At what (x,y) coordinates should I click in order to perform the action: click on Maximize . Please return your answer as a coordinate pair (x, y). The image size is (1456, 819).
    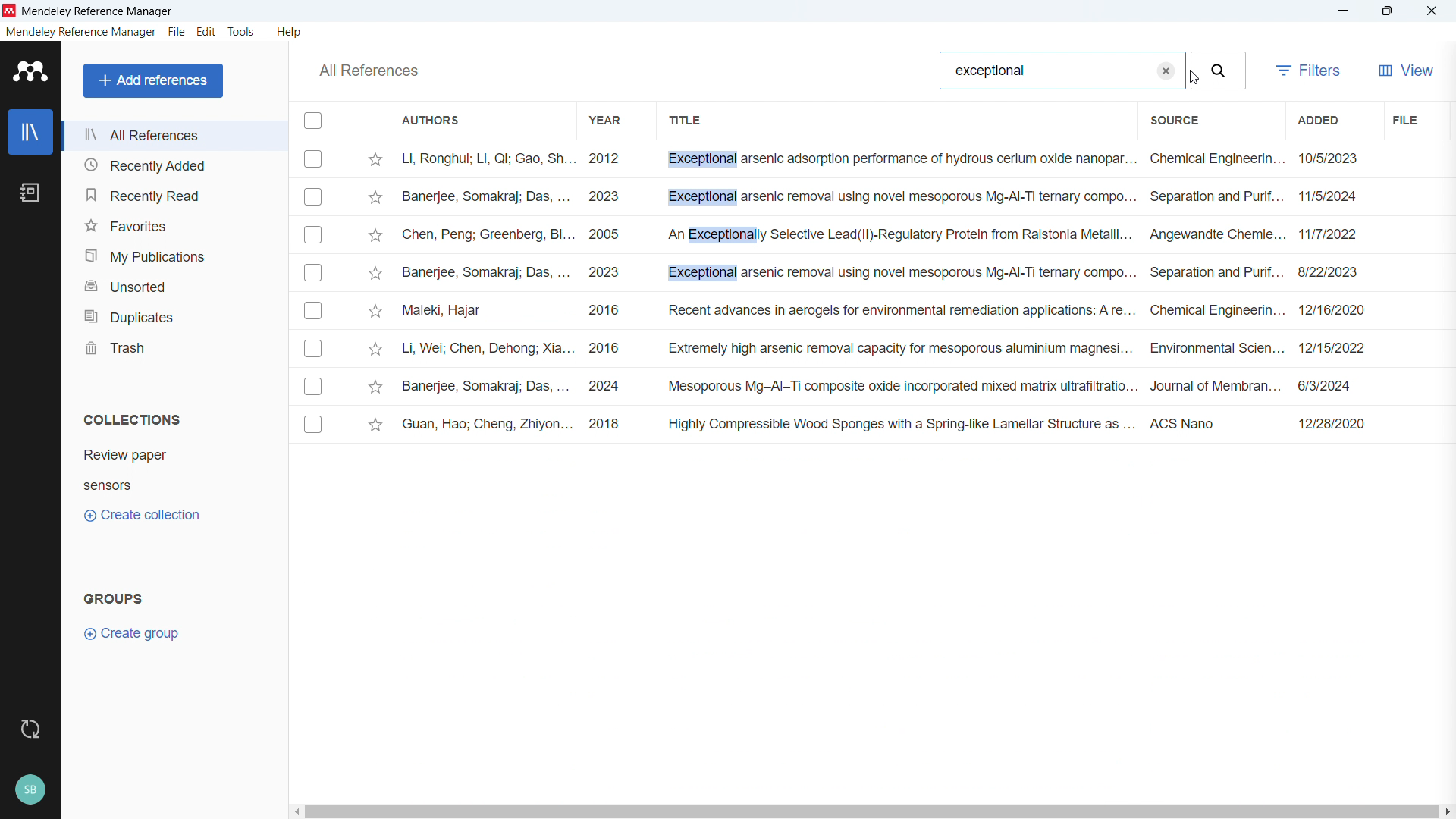
    Looking at the image, I should click on (1387, 11).